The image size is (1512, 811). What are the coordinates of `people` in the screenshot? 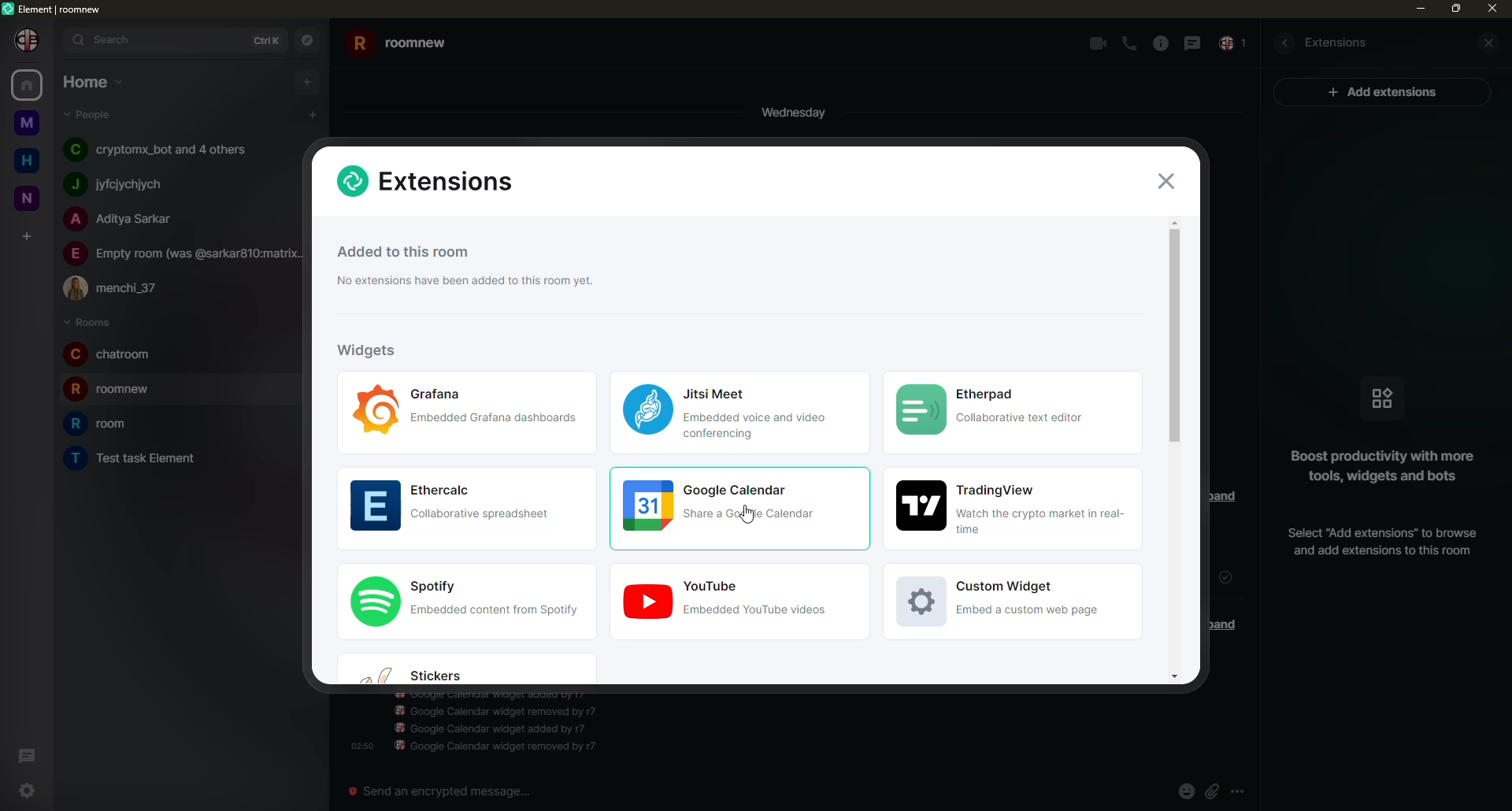 It's located at (115, 185).